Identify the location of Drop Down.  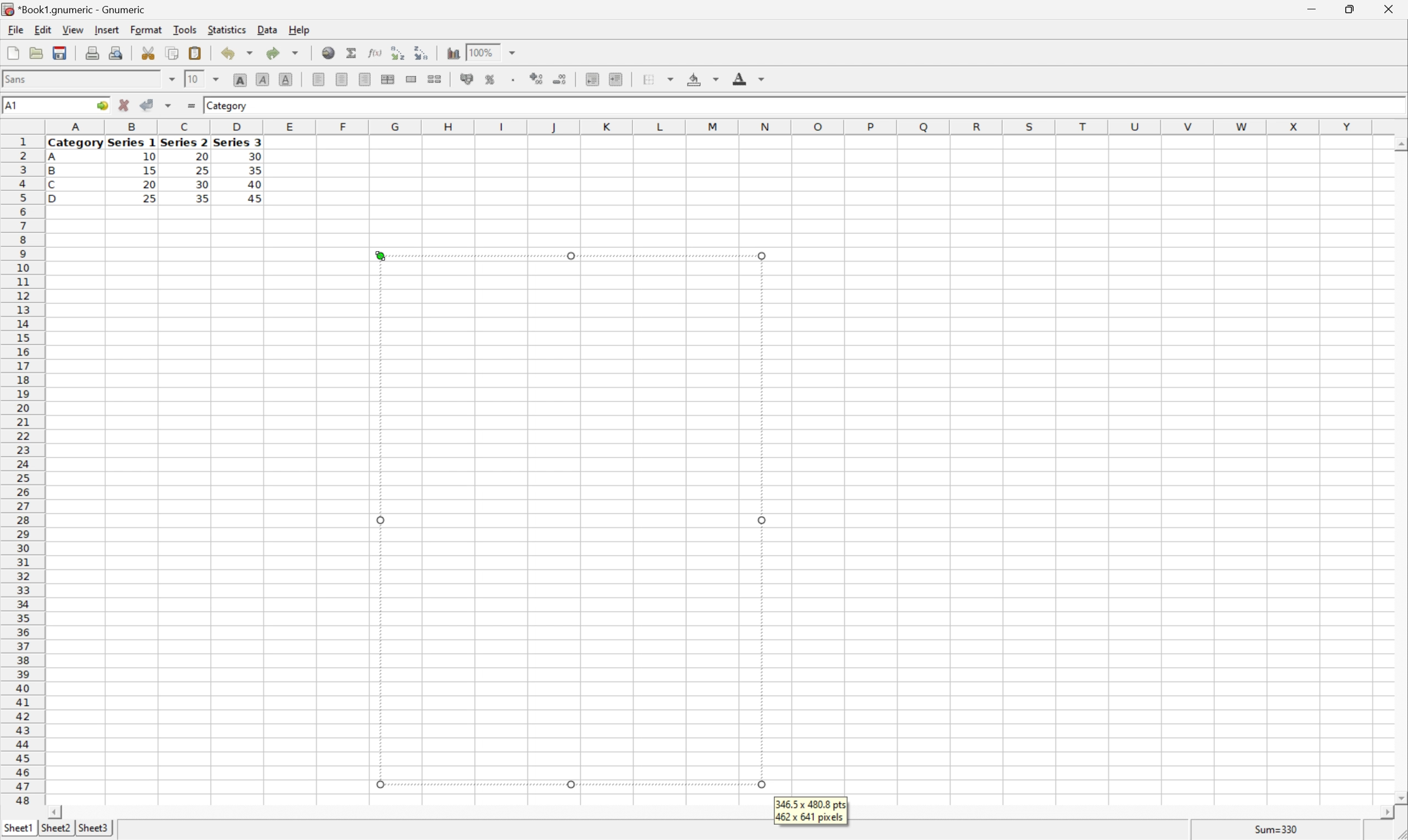
(514, 52).